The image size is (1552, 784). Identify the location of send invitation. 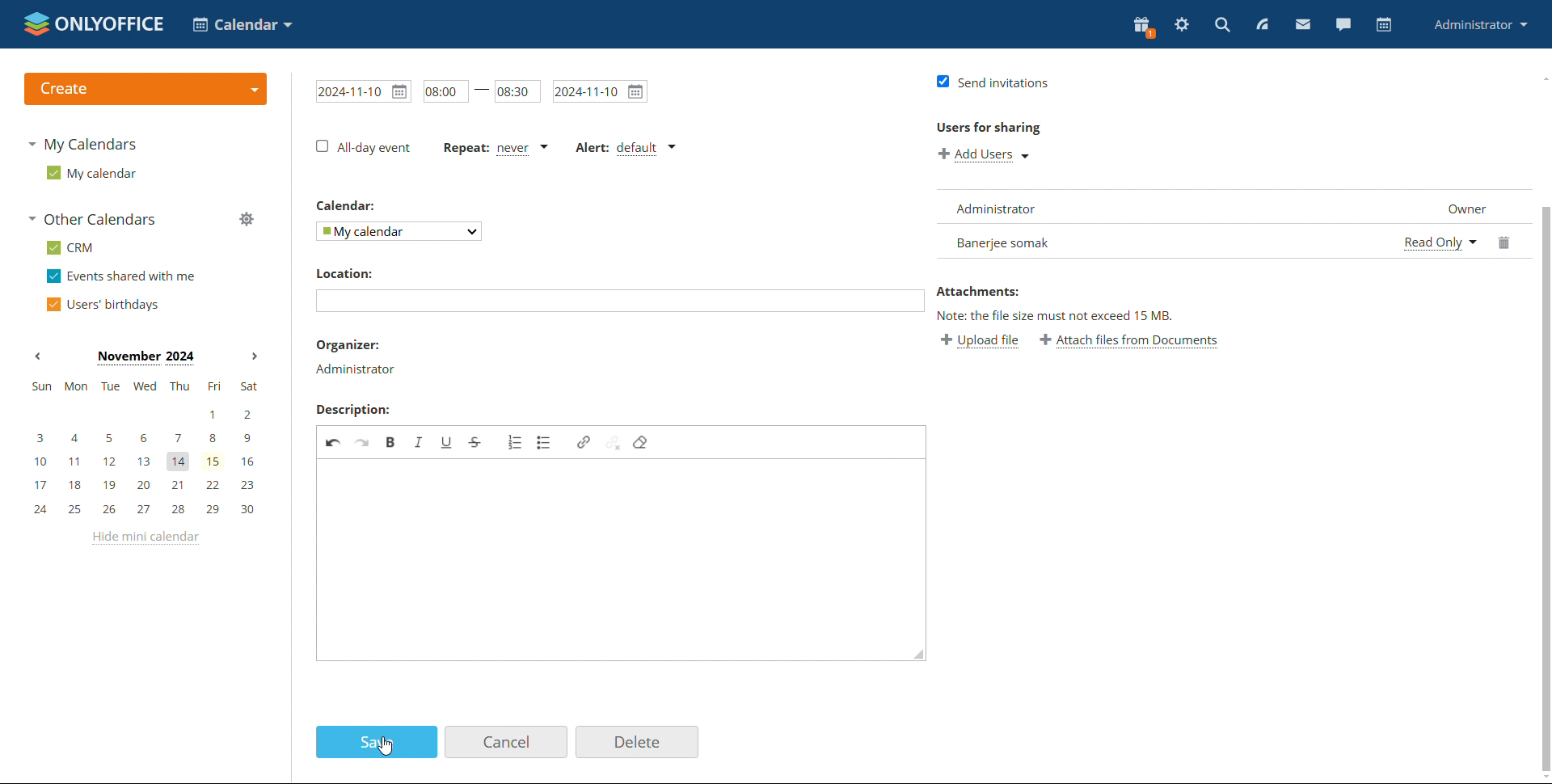
(996, 78).